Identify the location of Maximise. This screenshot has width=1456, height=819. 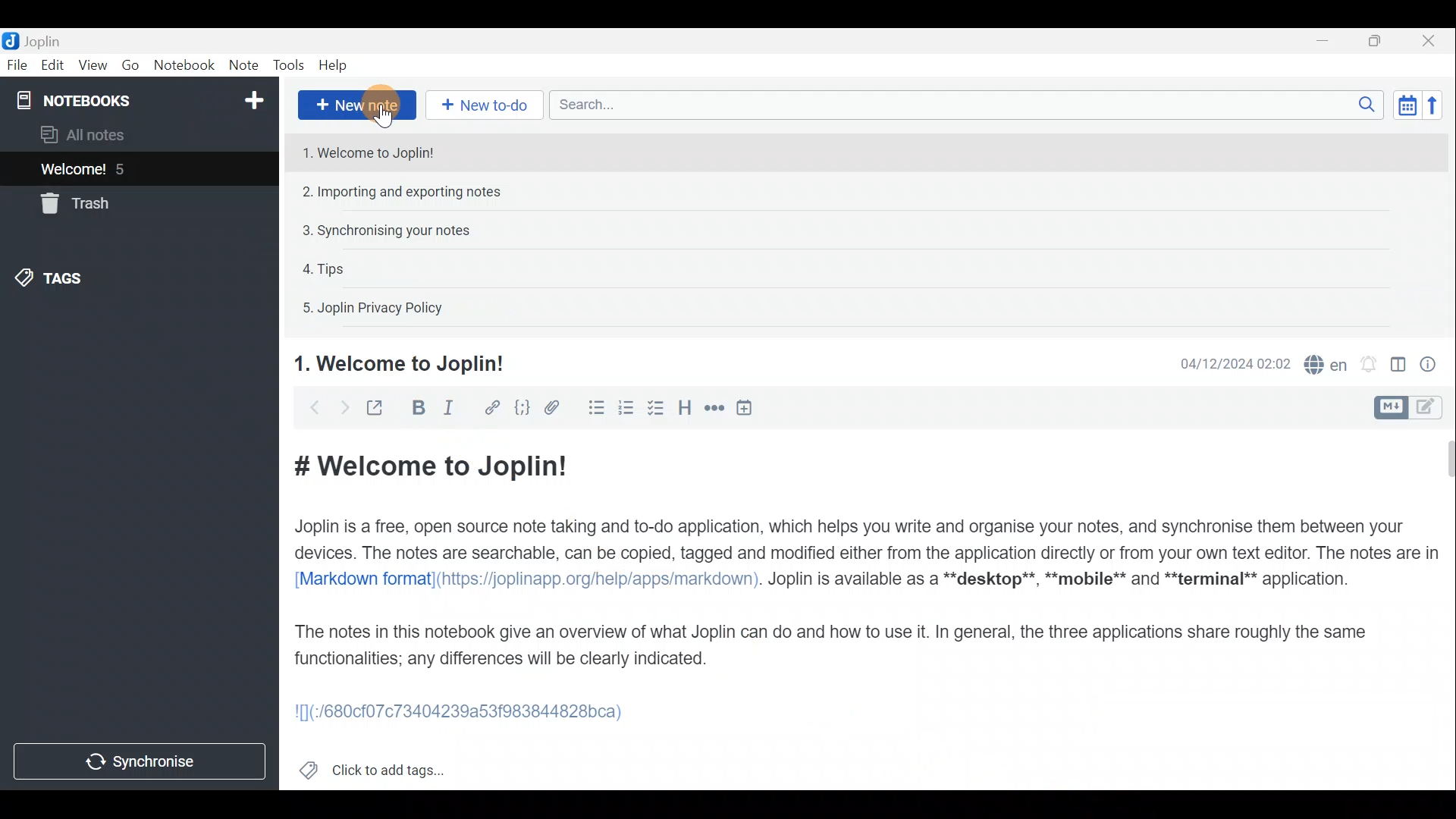
(1376, 42).